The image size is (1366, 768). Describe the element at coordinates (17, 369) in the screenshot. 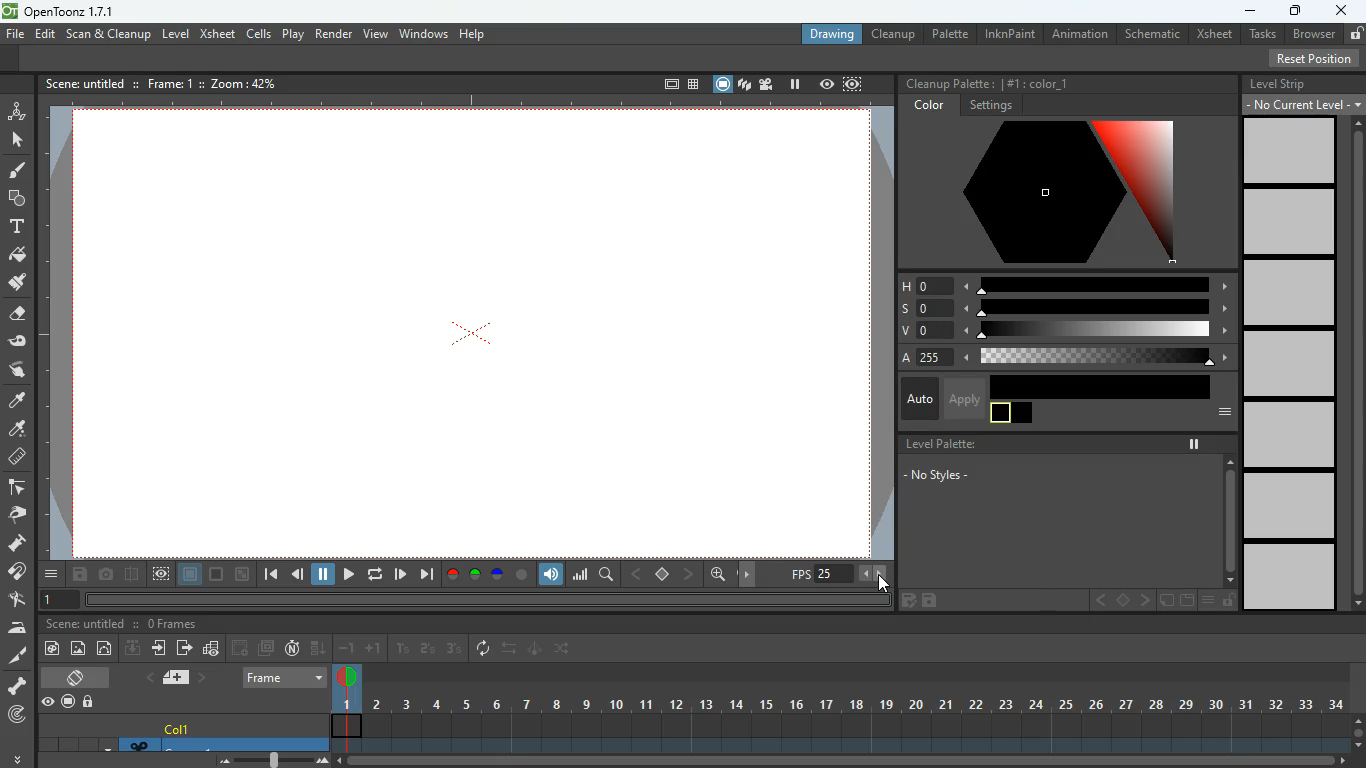

I see `swipe` at that location.